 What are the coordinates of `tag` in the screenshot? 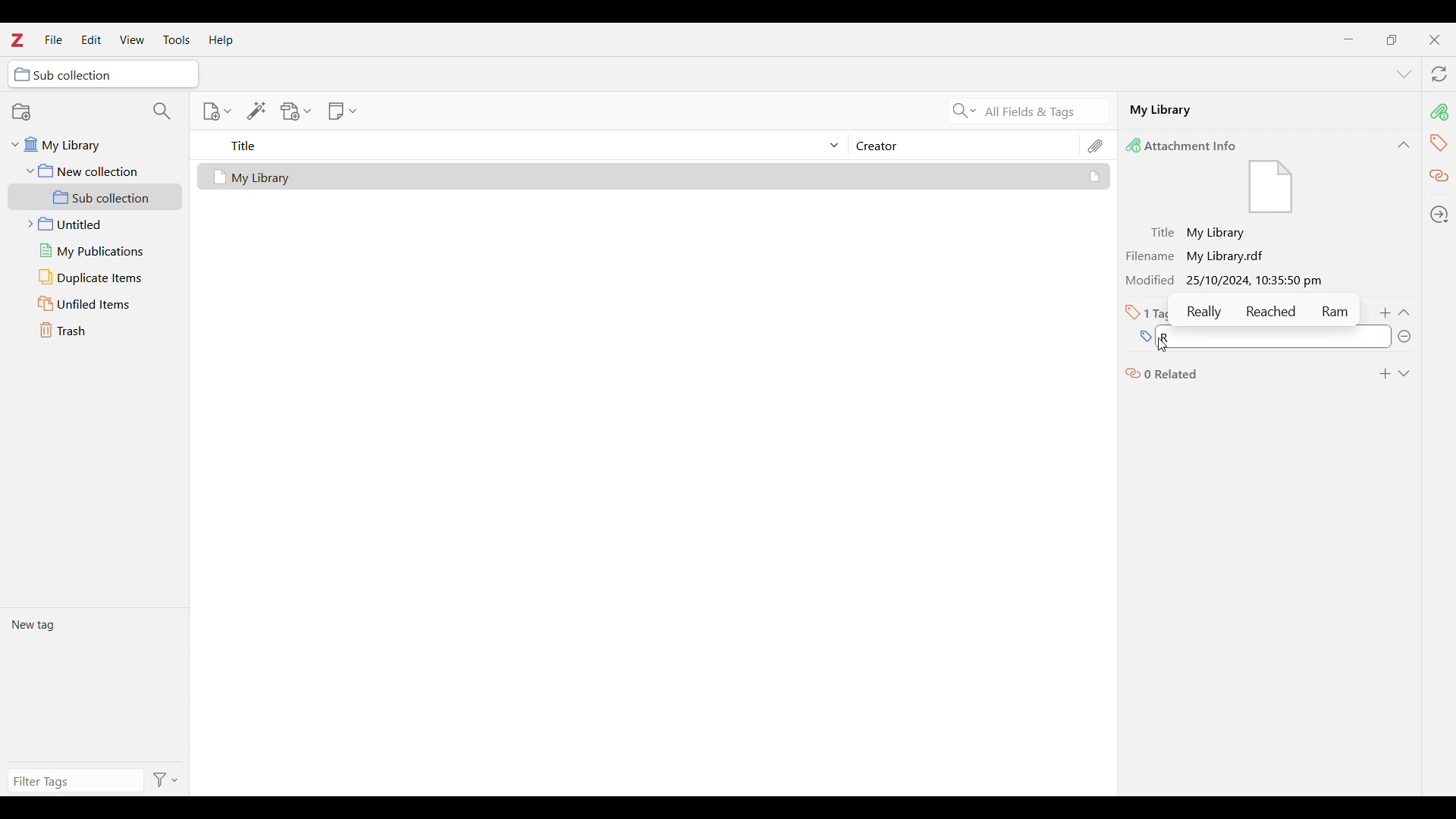 It's located at (1439, 142).